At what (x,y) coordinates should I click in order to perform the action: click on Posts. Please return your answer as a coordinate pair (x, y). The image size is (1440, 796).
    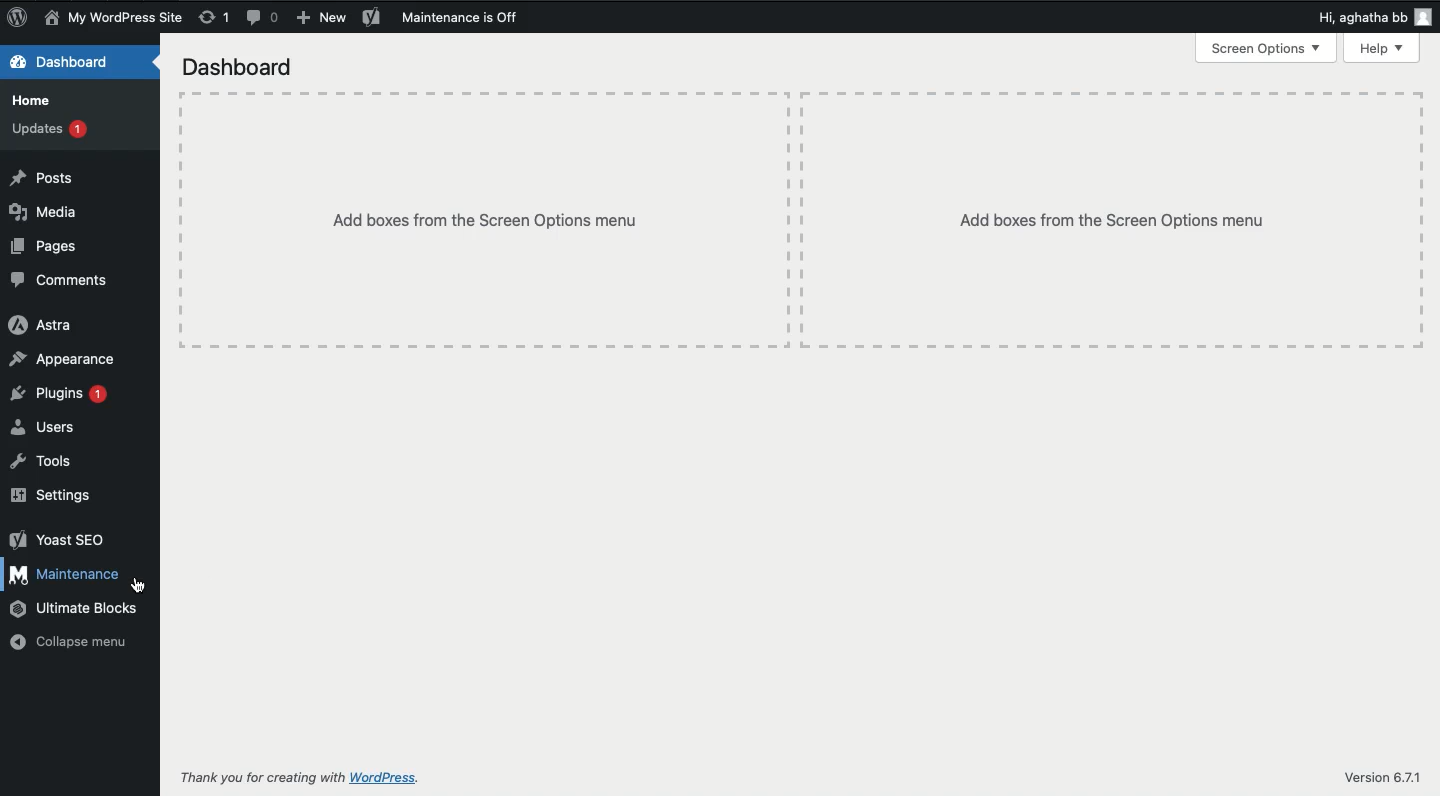
    Looking at the image, I should click on (42, 179).